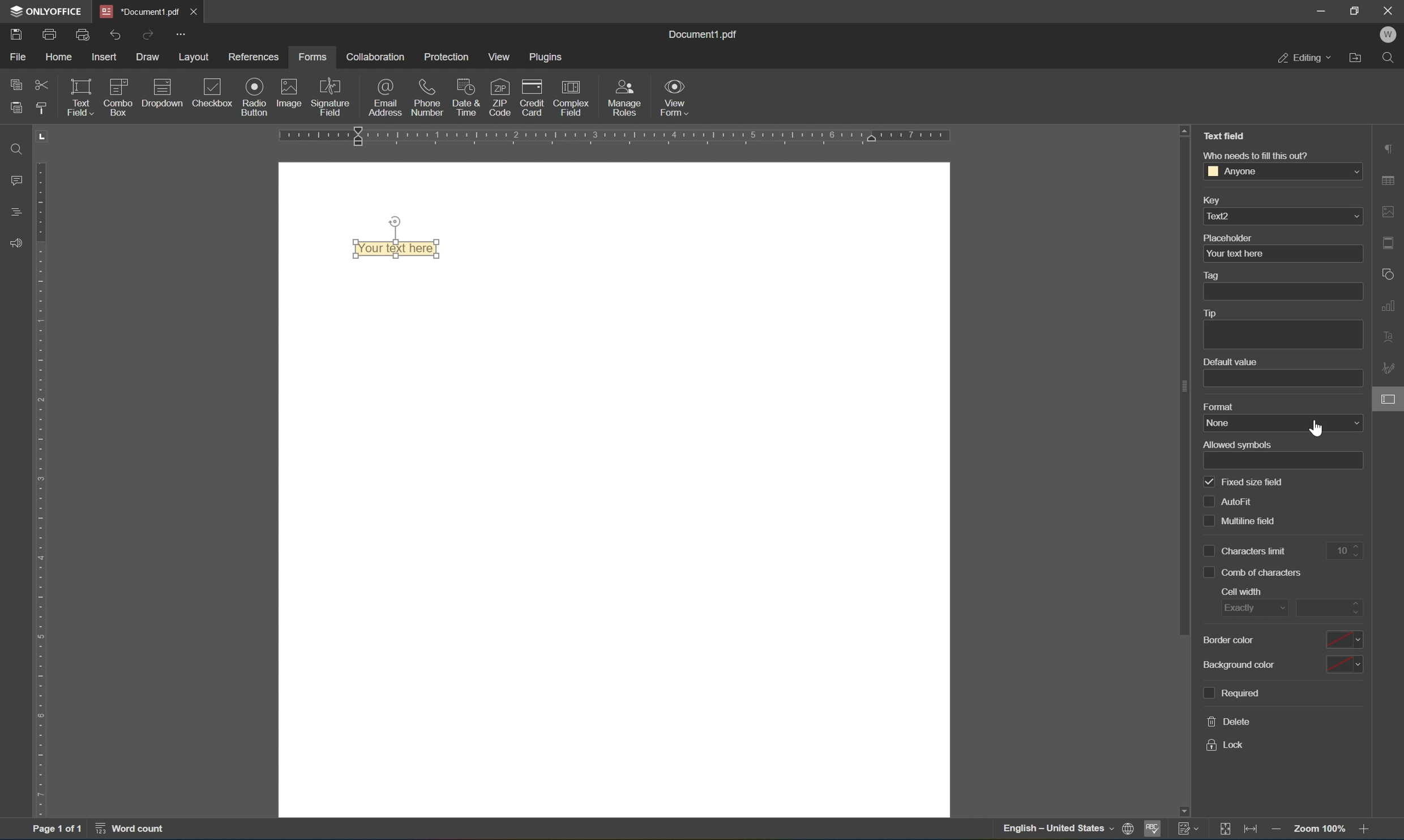  What do you see at coordinates (1321, 12) in the screenshot?
I see `minimize` at bounding box center [1321, 12].